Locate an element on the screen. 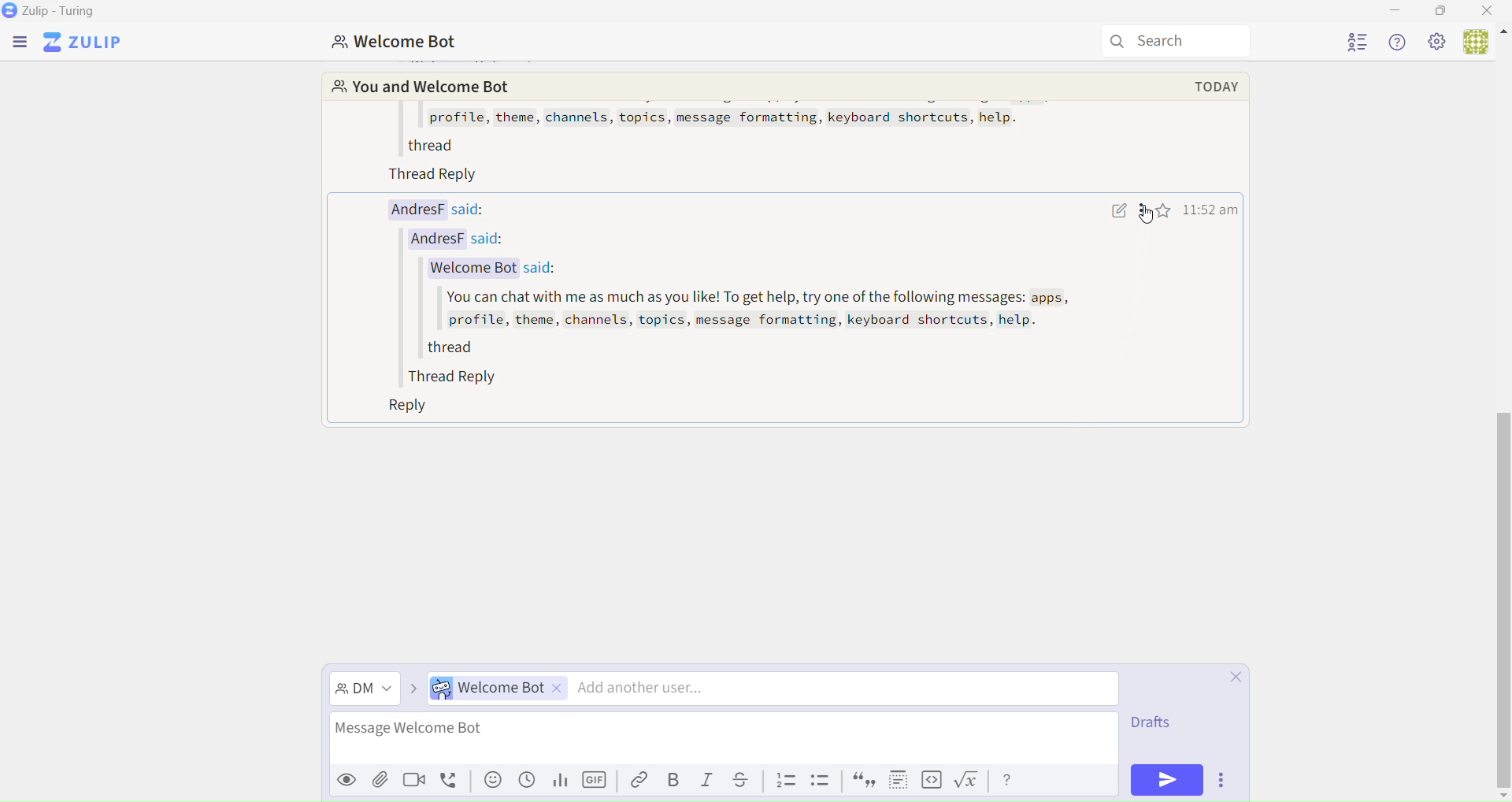 The image size is (1512, 802). User List is located at coordinates (1362, 43).